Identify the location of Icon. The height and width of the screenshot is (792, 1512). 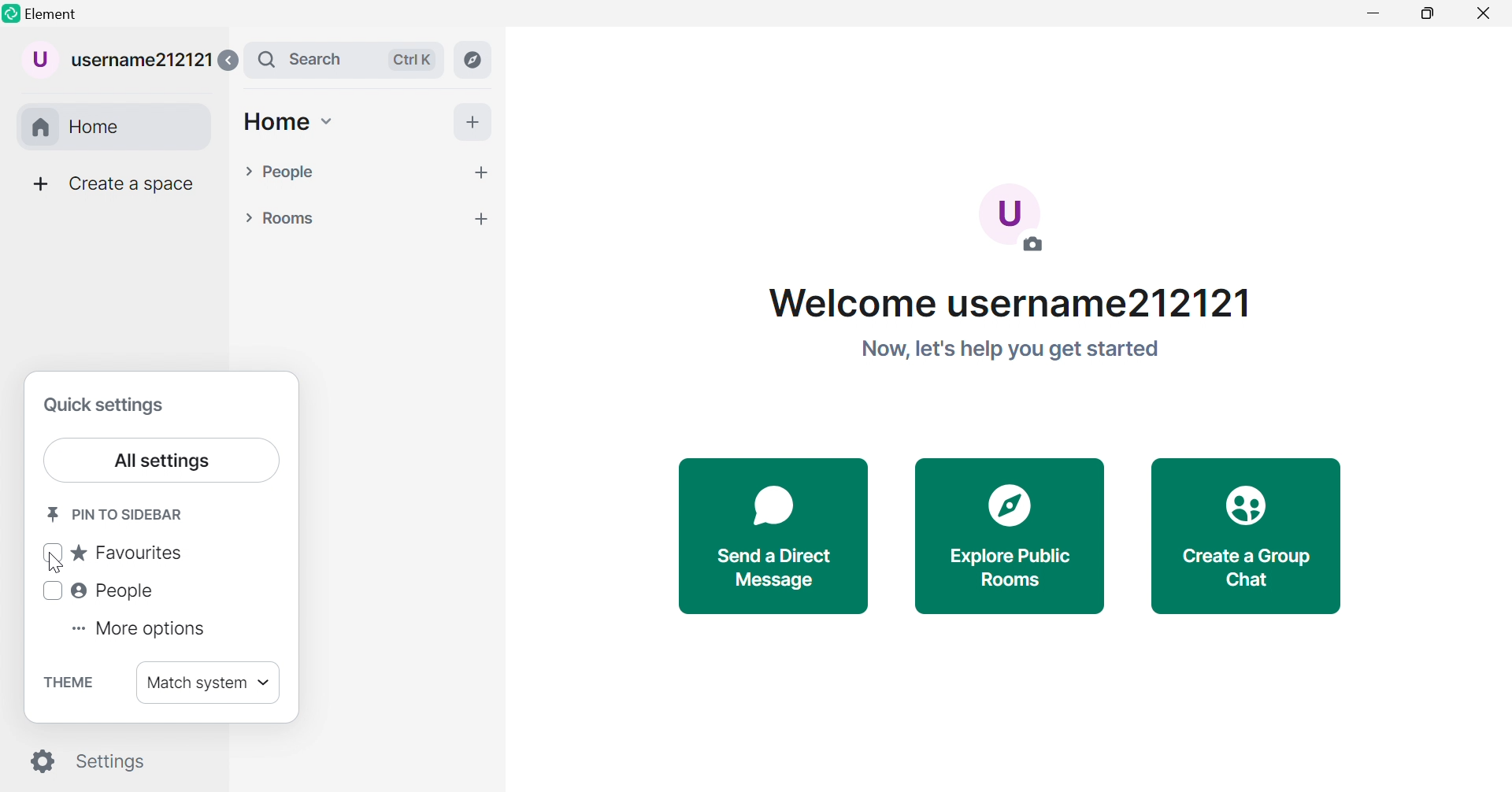
(1013, 503).